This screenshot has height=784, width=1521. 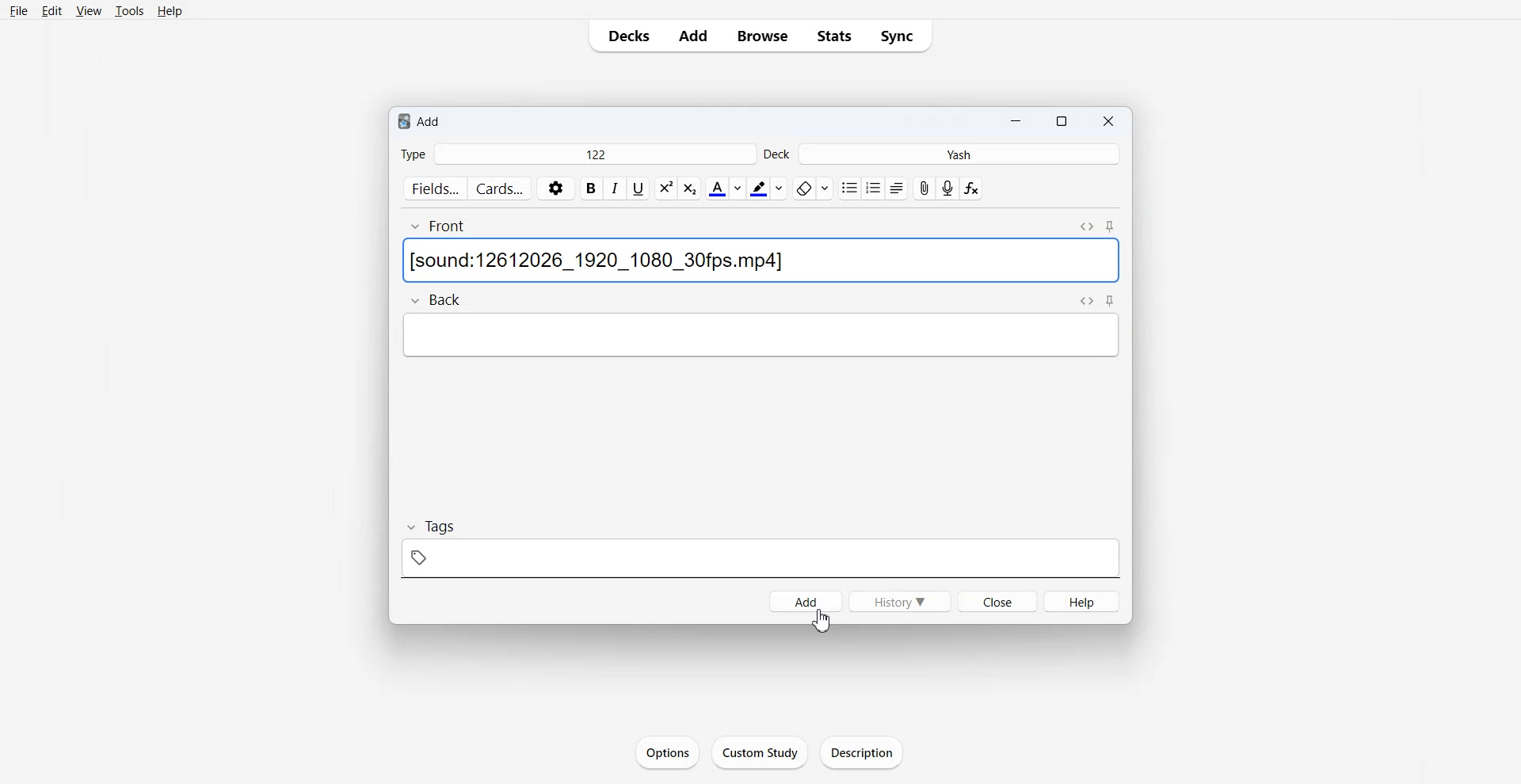 What do you see at coordinates (923, 188) in the screenshot?
I see `Attached File` at bounding box center [923, 188].